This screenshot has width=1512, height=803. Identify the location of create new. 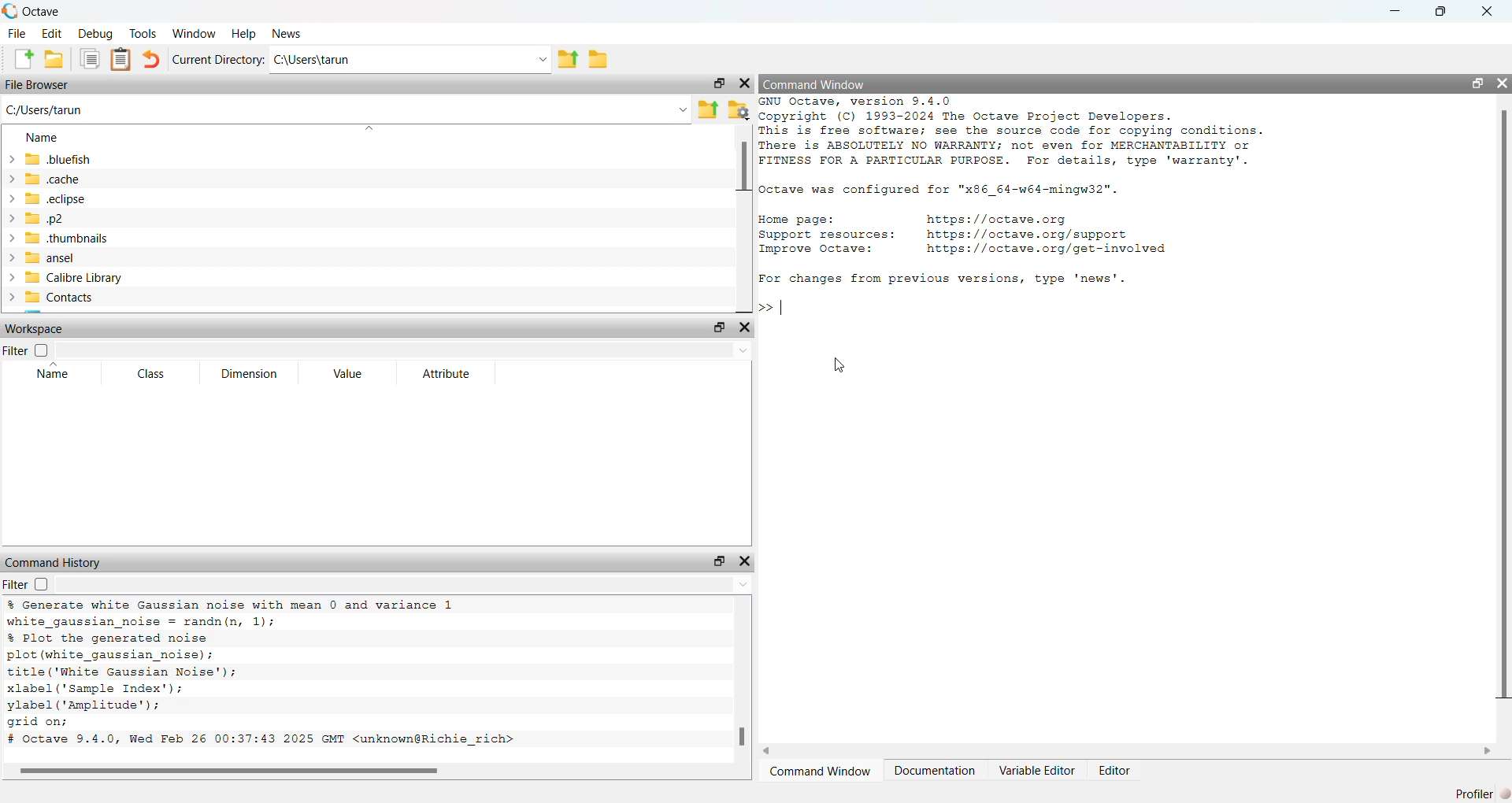
(22, 59).